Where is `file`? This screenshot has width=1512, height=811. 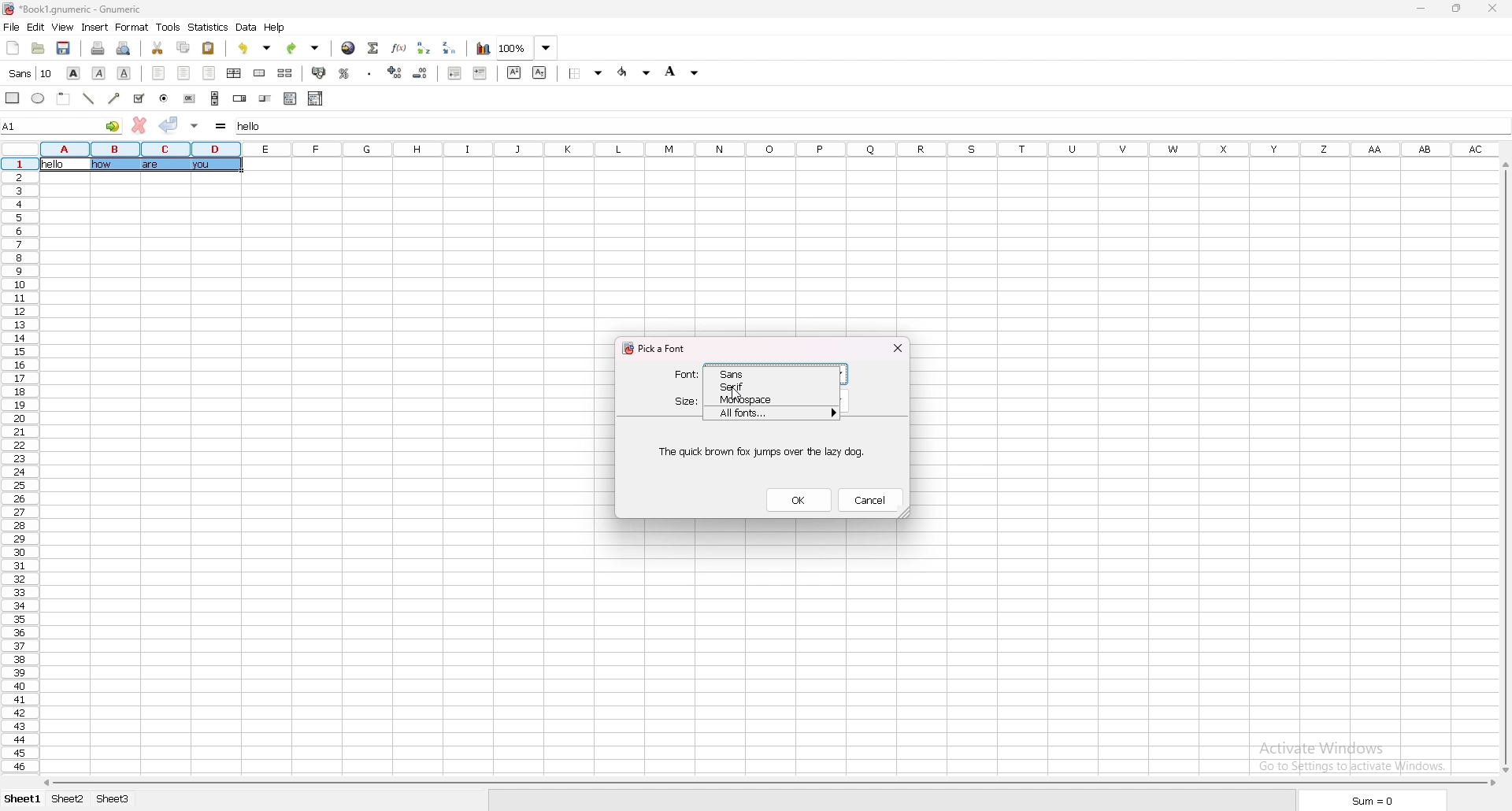 file is located at coordinates (12, 27).